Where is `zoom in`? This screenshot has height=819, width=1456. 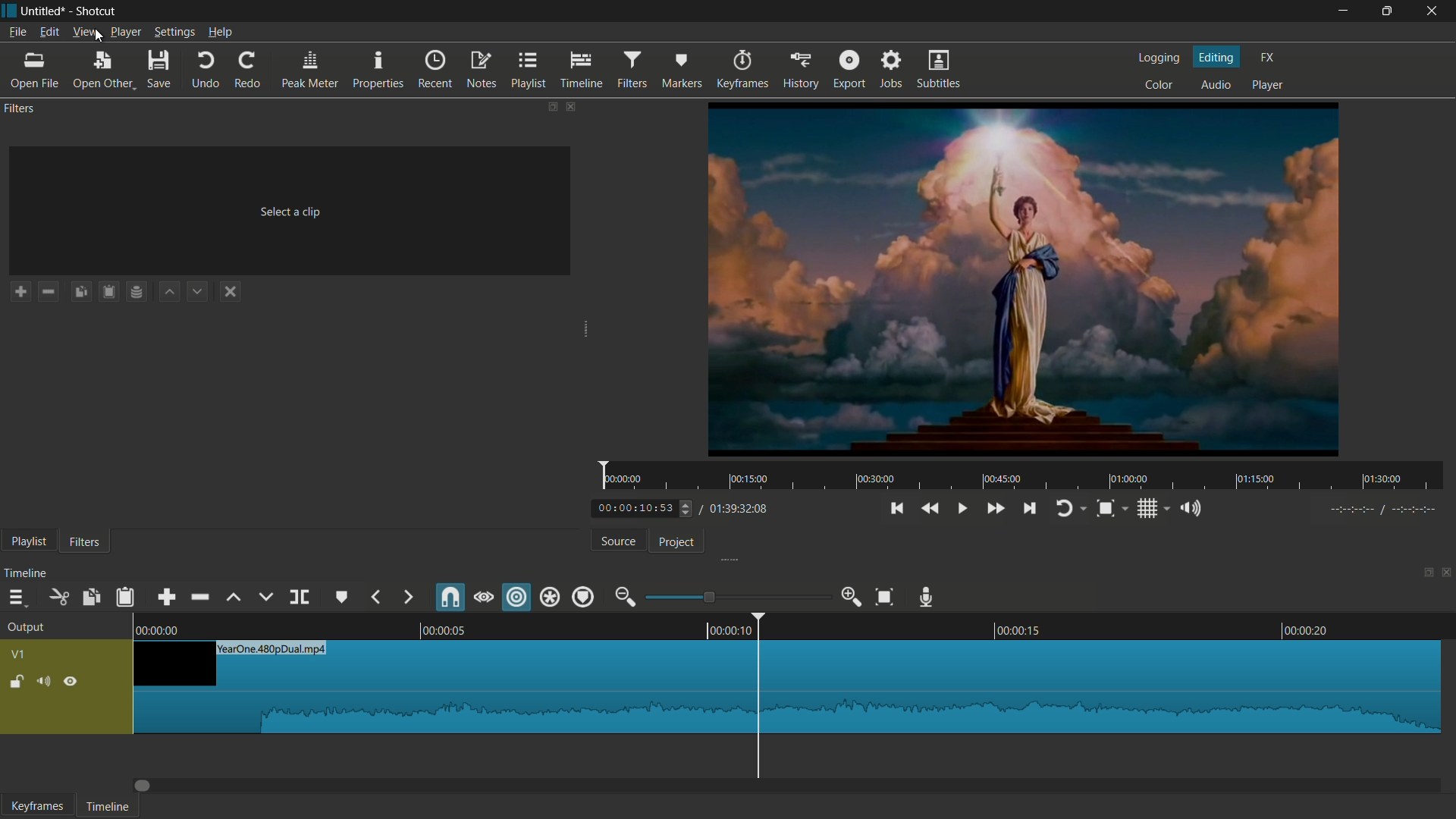 zoom in is located at coordinates (853, 598).